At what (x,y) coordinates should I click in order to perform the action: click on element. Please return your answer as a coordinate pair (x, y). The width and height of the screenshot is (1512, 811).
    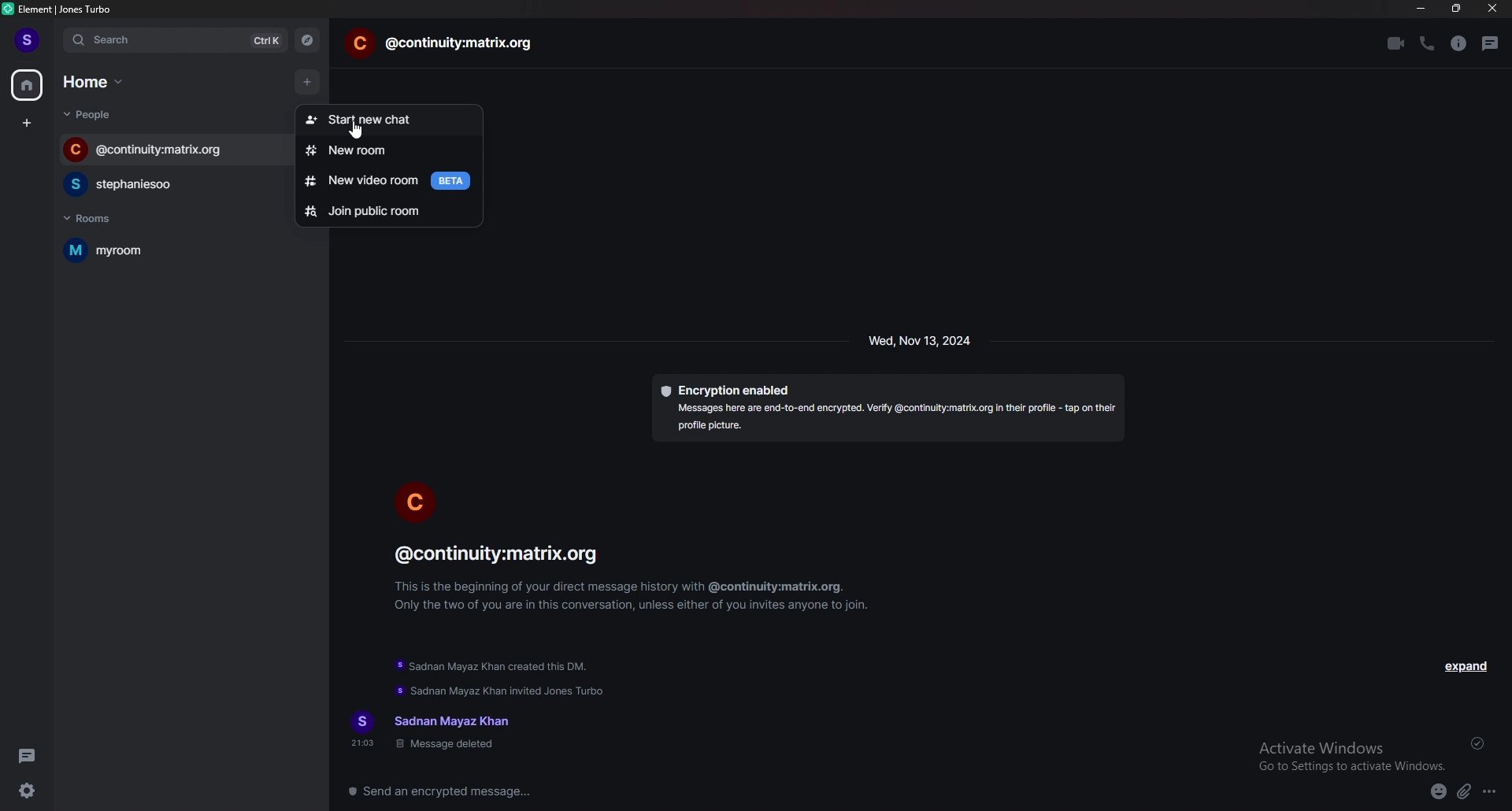
    Looking at the image, I should click on (65, 9).